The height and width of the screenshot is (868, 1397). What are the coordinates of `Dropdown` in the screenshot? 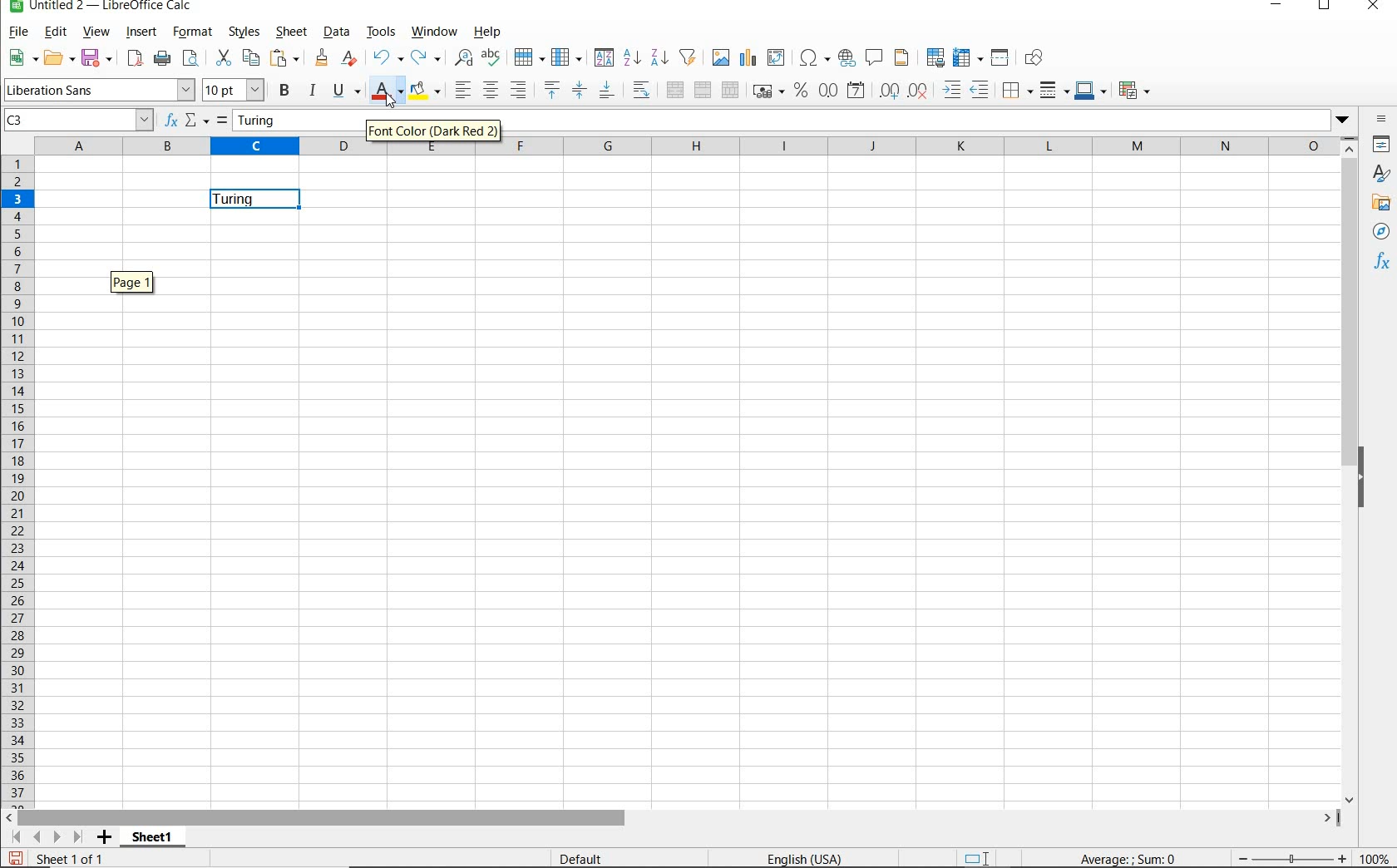 It's located at (1342, 121).